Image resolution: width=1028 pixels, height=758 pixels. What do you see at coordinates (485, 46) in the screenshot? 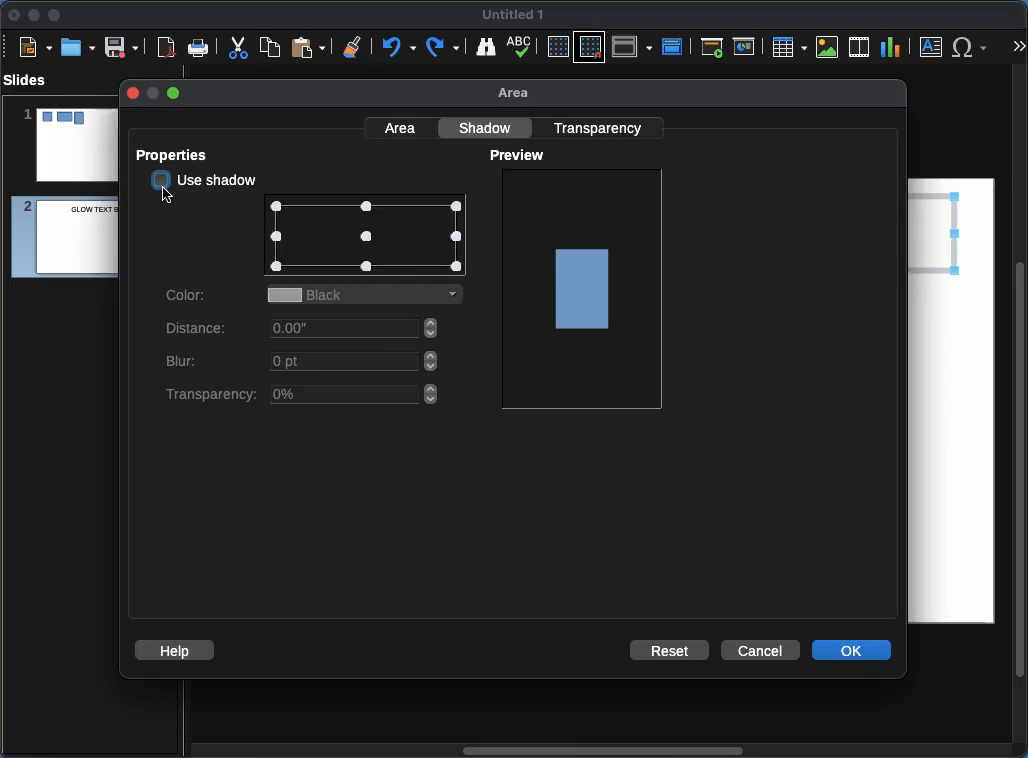
I see `Find` at bounding box center [485, 46].